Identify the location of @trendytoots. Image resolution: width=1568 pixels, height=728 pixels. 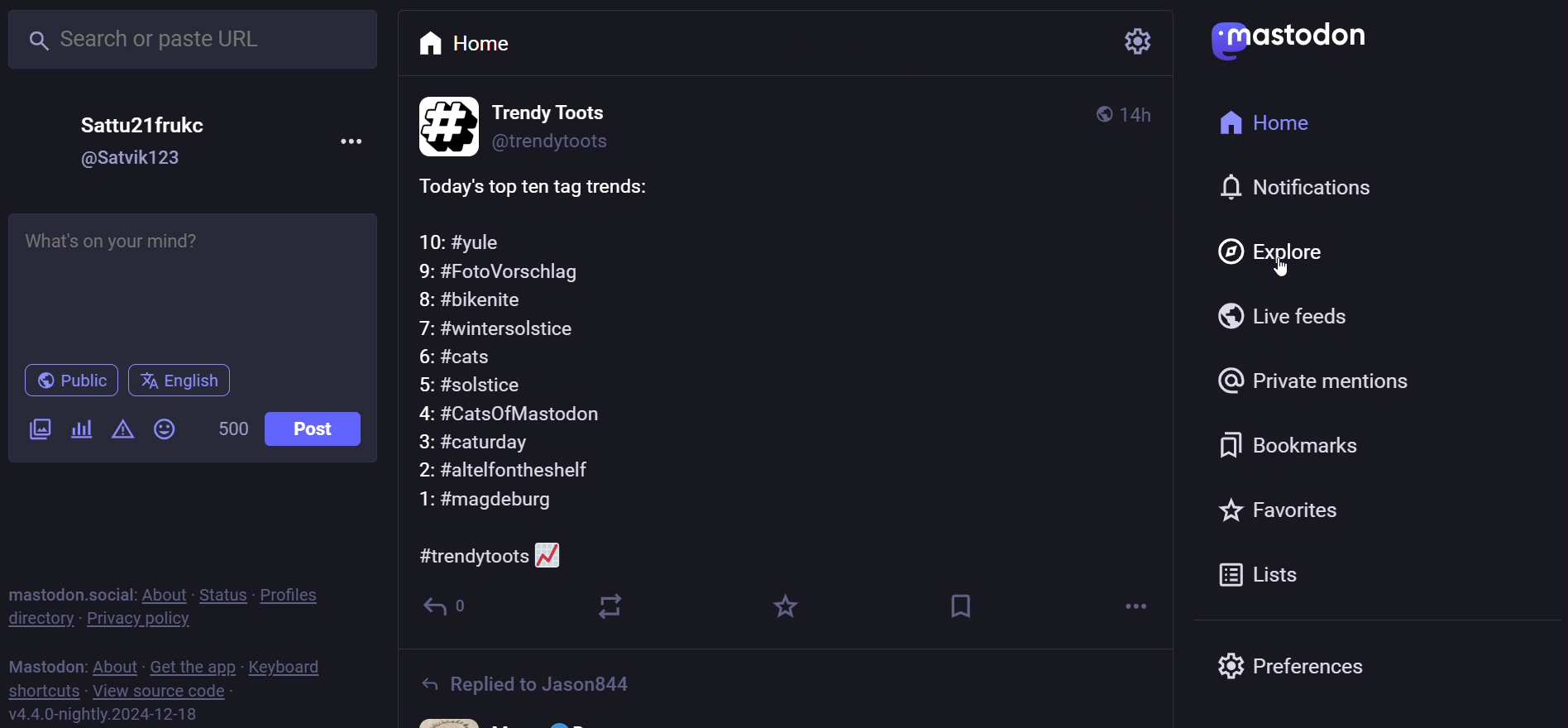
(576, 143).